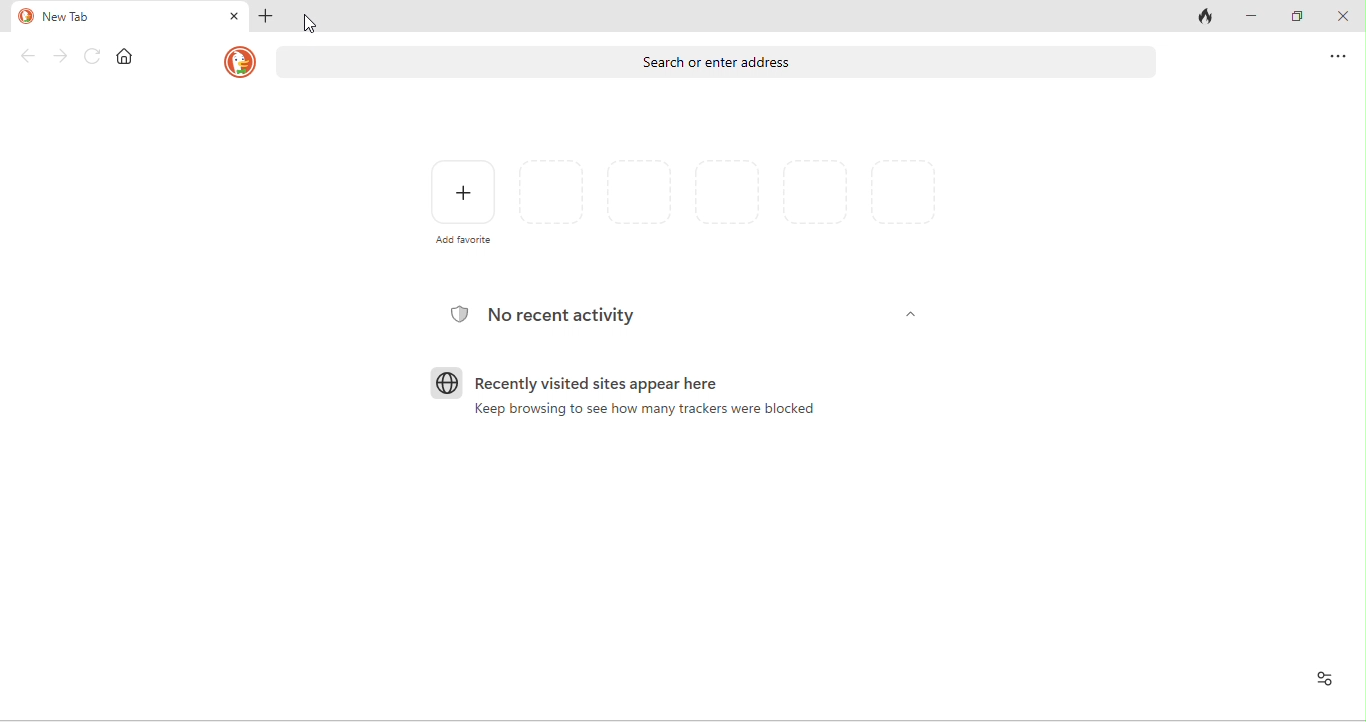 Image resolution: width=1366 pixels, height=722 pixels. Describe the element at coordinates (1322, 679) in the screenshot. I see `recent activity and favorites` at that location.